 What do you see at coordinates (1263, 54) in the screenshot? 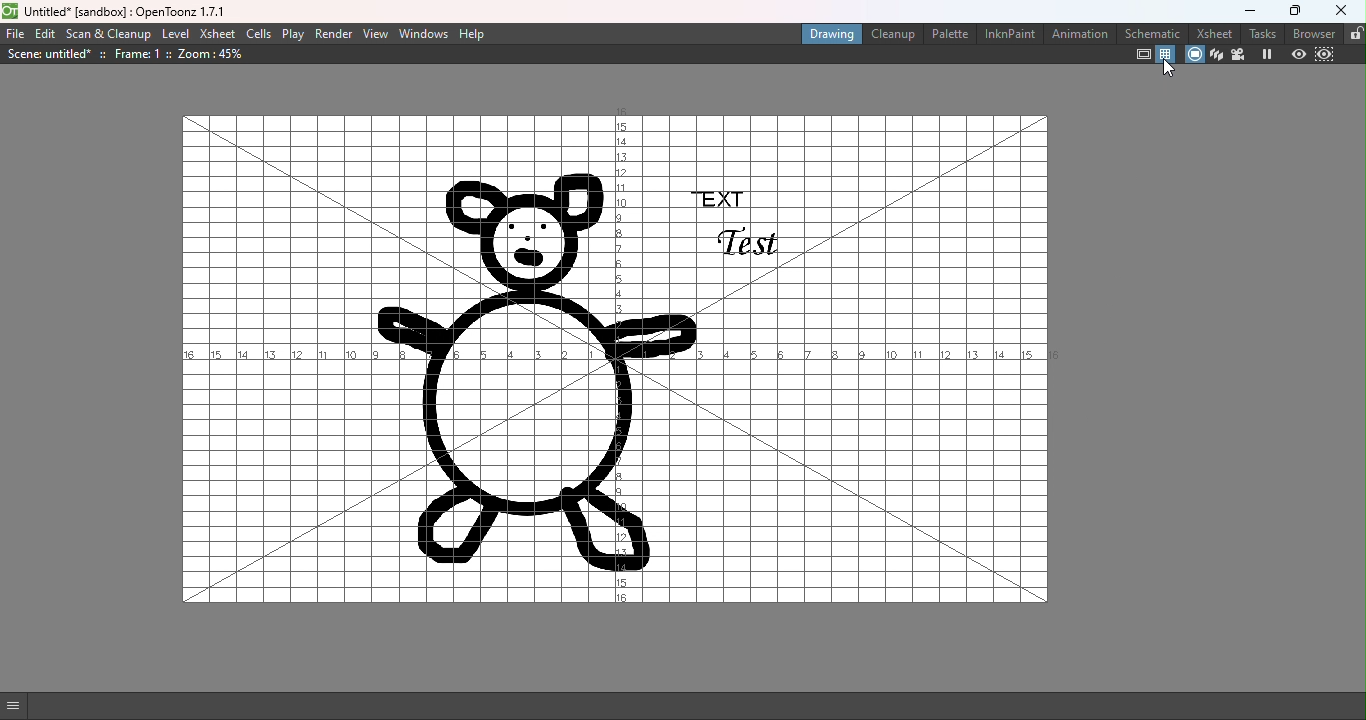
I see `Freeze` at bounding box center [1263, 54].